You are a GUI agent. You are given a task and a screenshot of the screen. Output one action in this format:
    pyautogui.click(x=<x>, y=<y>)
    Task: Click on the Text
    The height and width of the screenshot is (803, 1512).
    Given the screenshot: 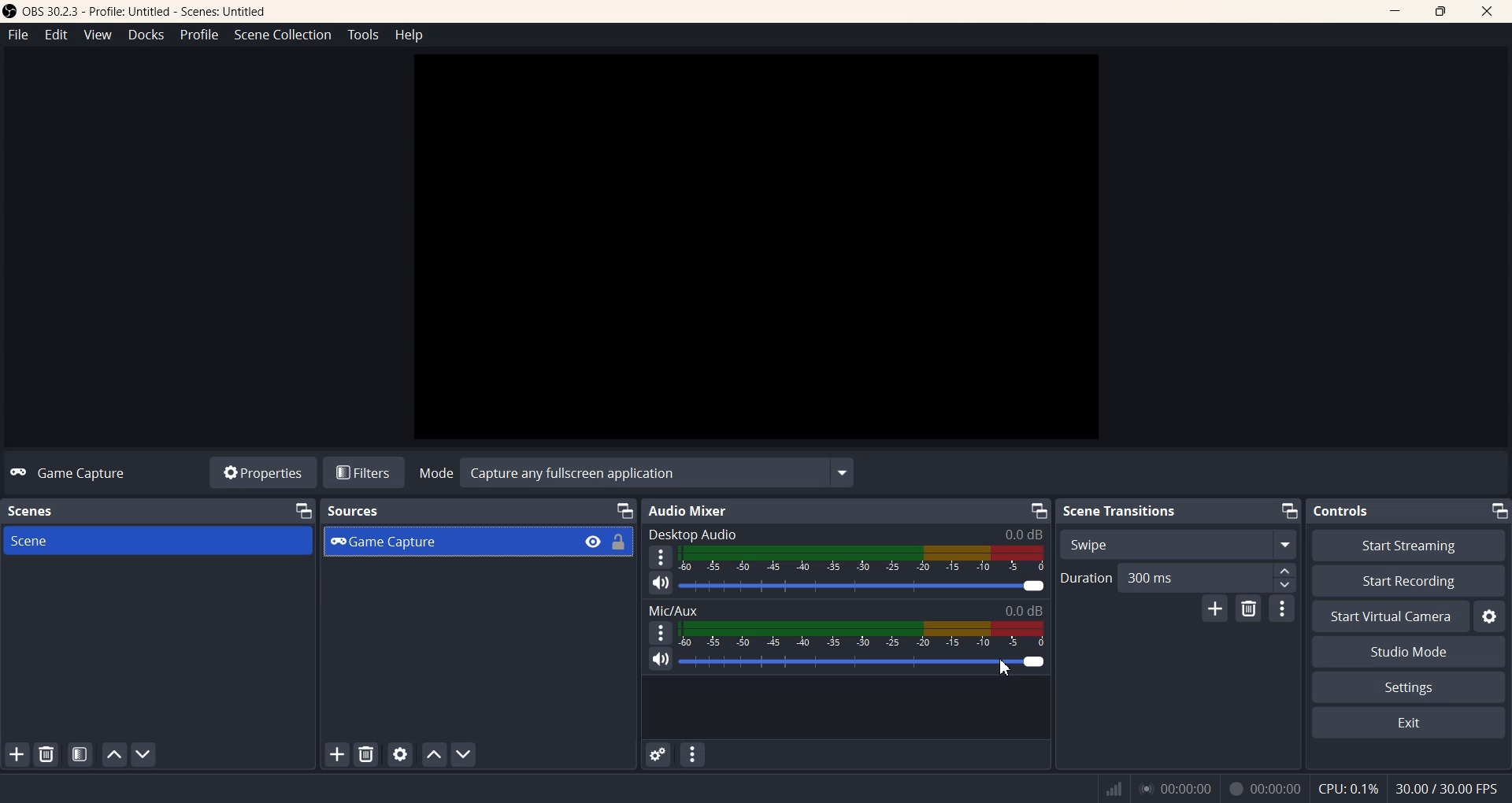 What is the action you would take?
    pyautogui.click(x=691, y=511)
    